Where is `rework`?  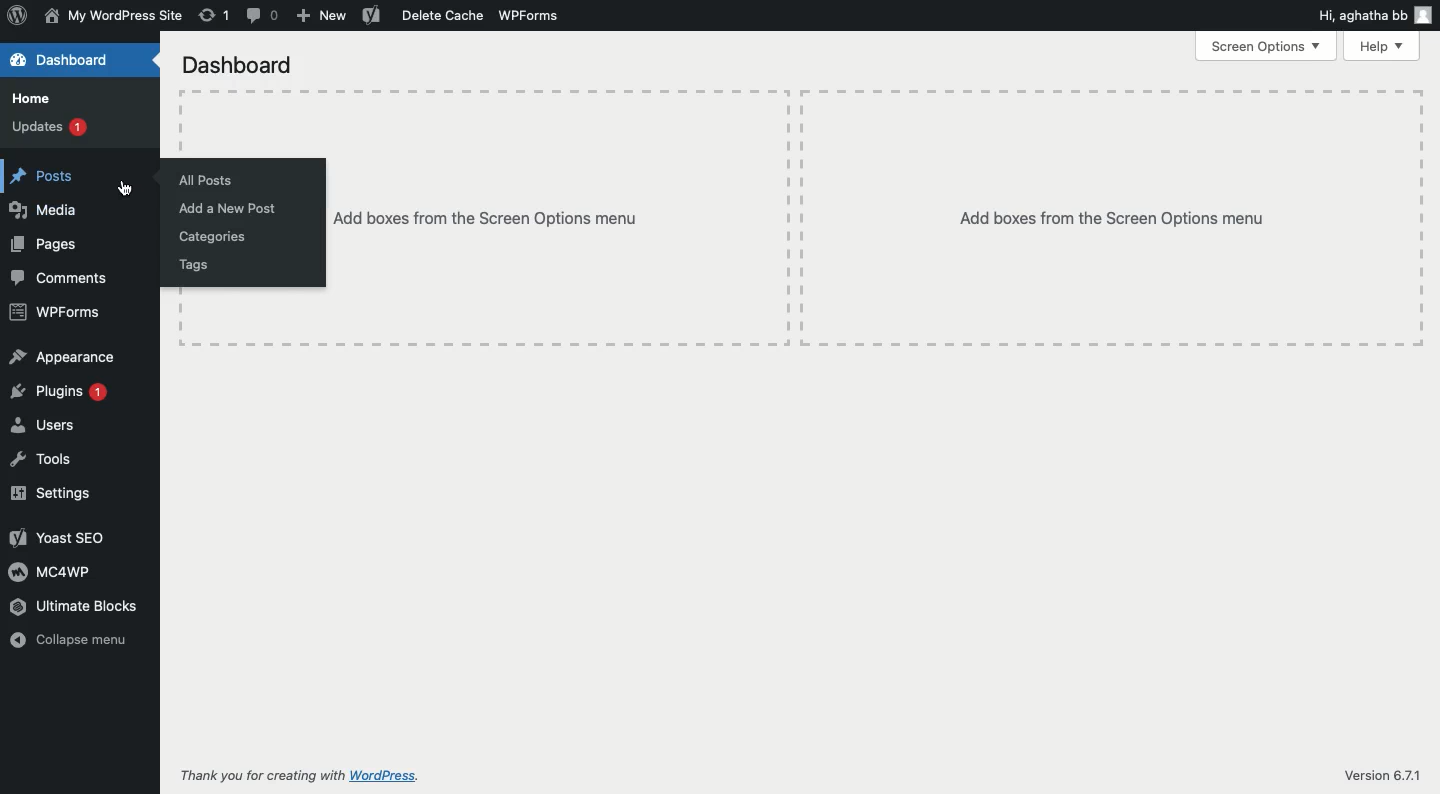
rework is located at coordinates (215, 16).